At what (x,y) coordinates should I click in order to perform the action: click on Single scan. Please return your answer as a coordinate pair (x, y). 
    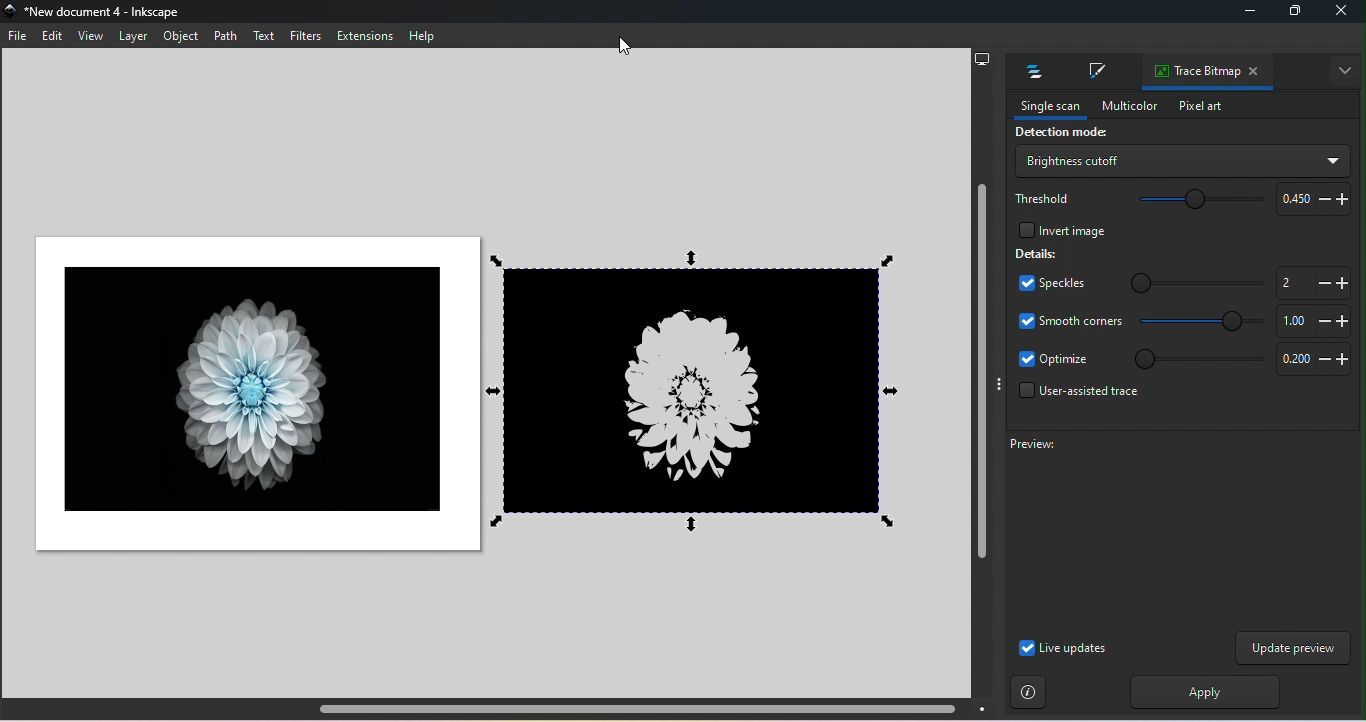
    Looking at the image, I should click on (1044, 107).